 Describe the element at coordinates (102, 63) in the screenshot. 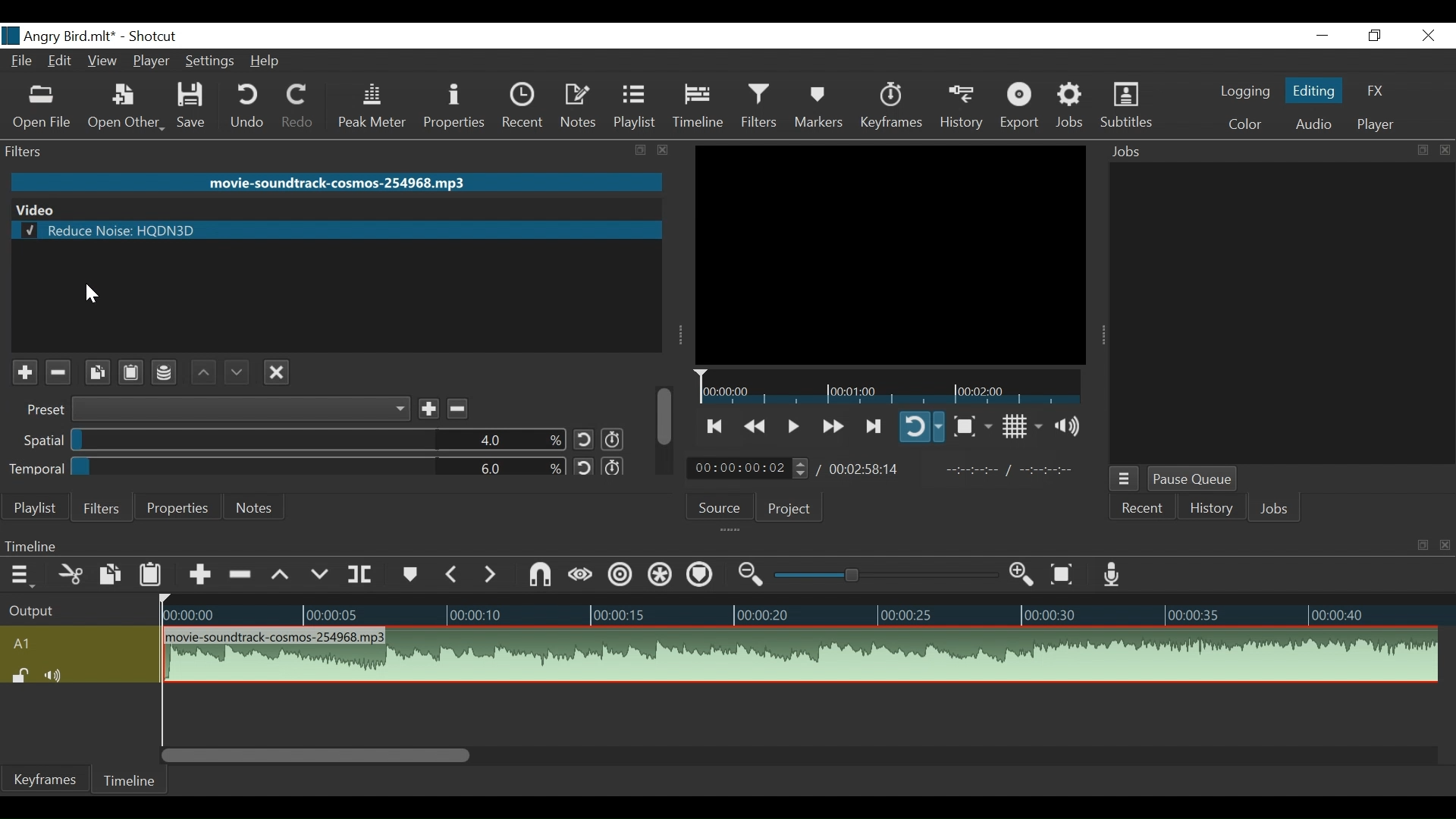

I see `View` at that location.